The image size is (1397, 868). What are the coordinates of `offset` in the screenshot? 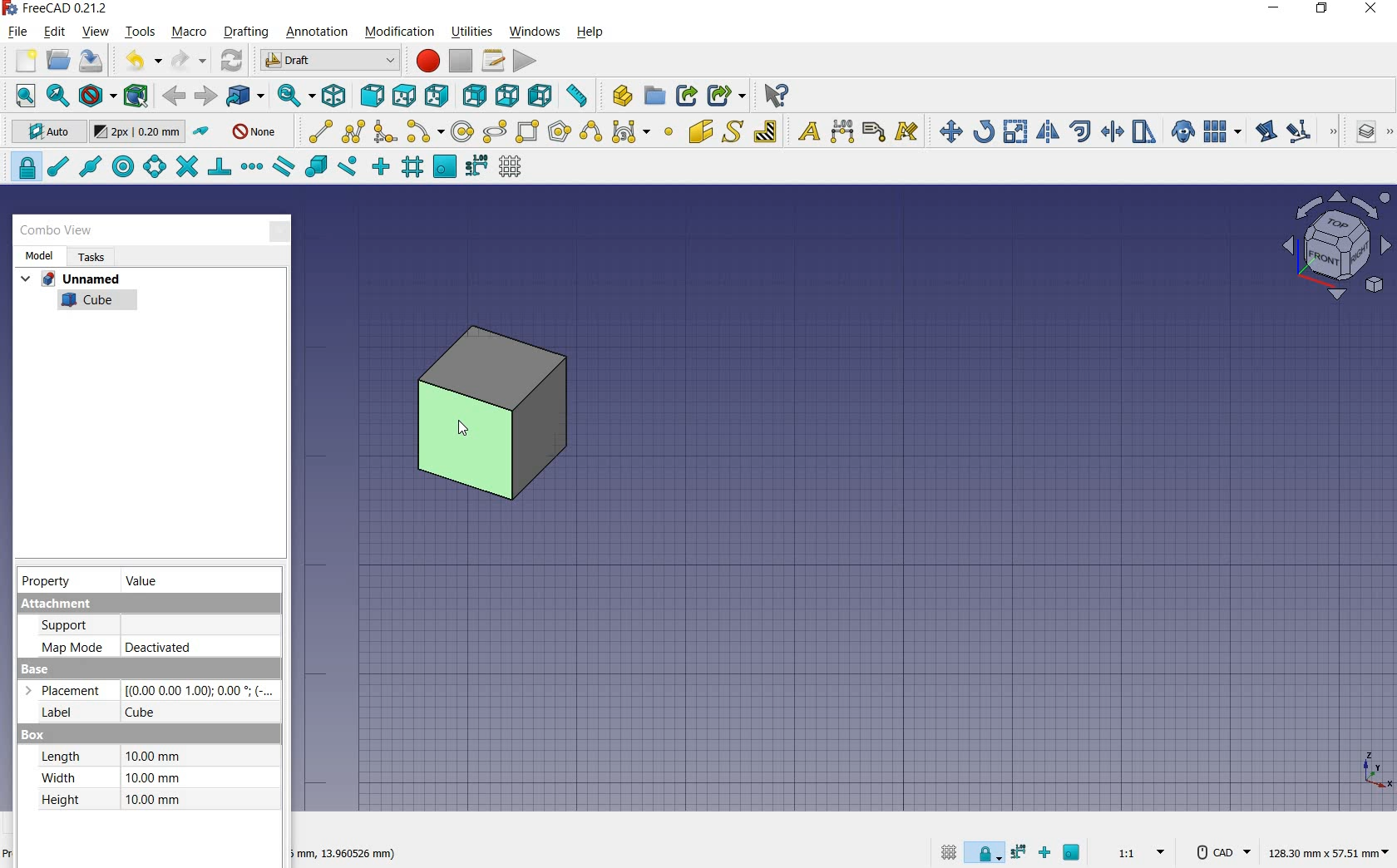 It's located at (1081, 131).